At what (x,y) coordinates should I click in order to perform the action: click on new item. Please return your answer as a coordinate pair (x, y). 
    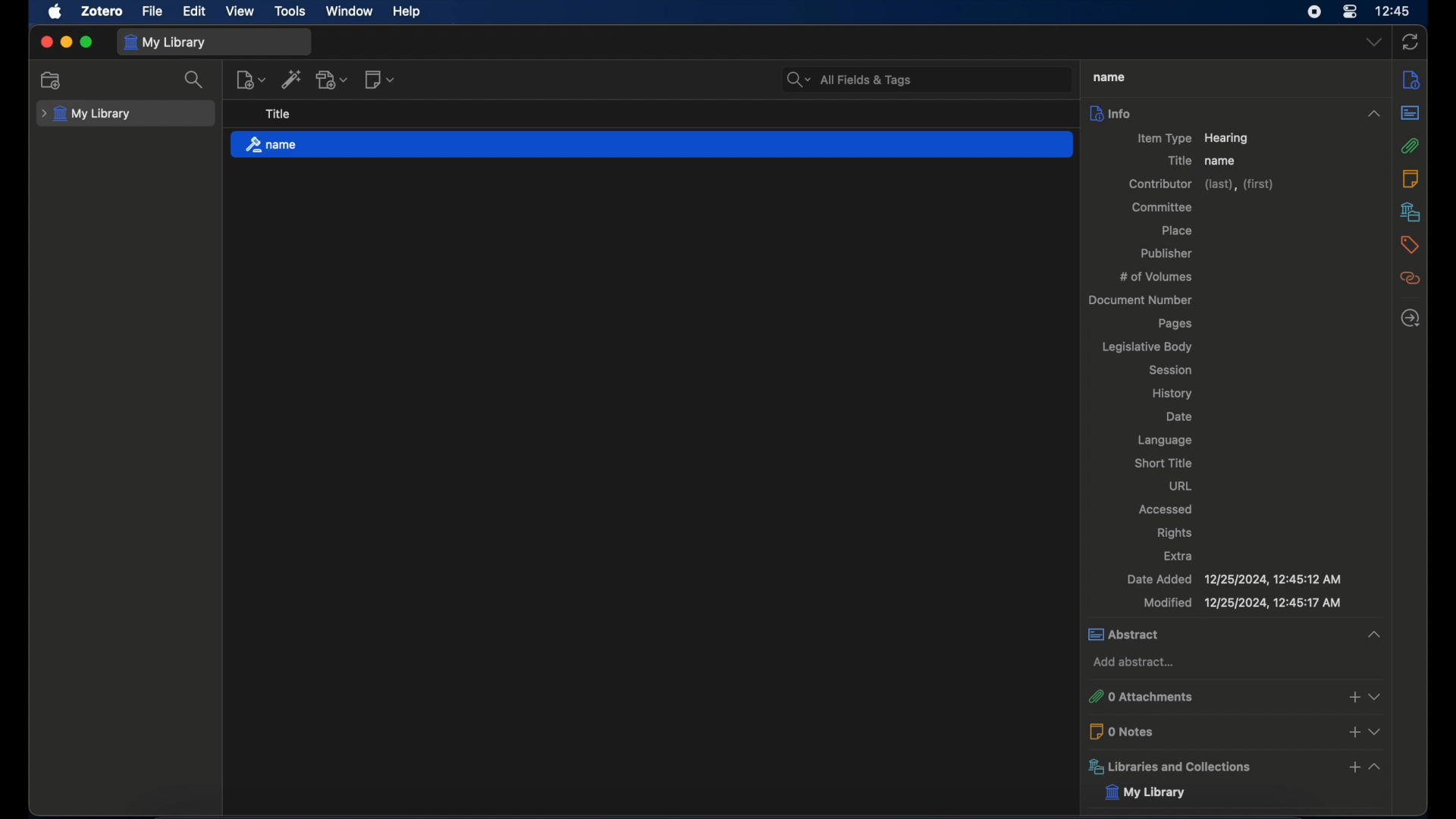
    Looking at the image, I should click on (251, 80).